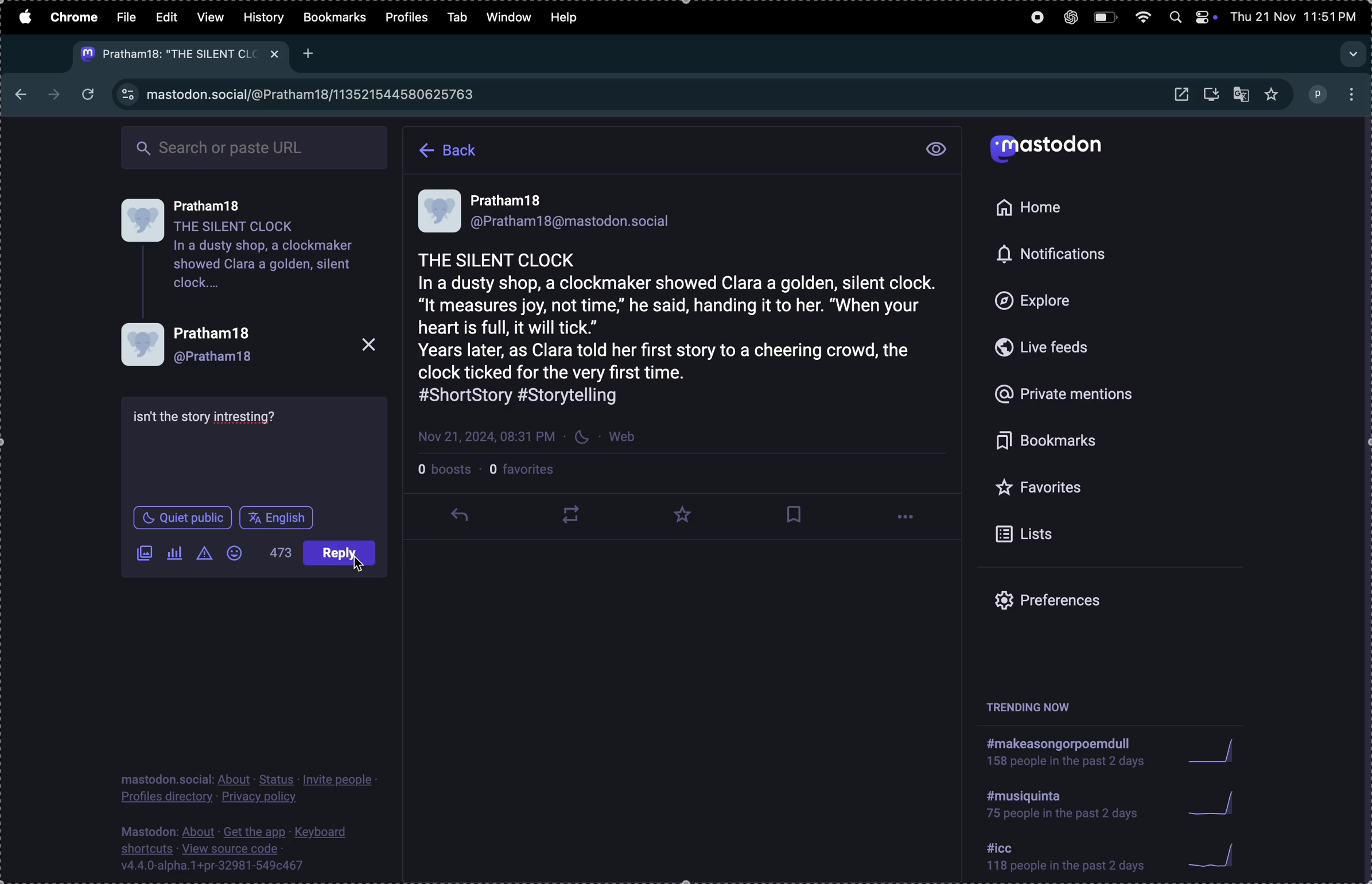  Describe the element at coordinates (181, 519) in the screenshot. I see `quietplace` at that location.